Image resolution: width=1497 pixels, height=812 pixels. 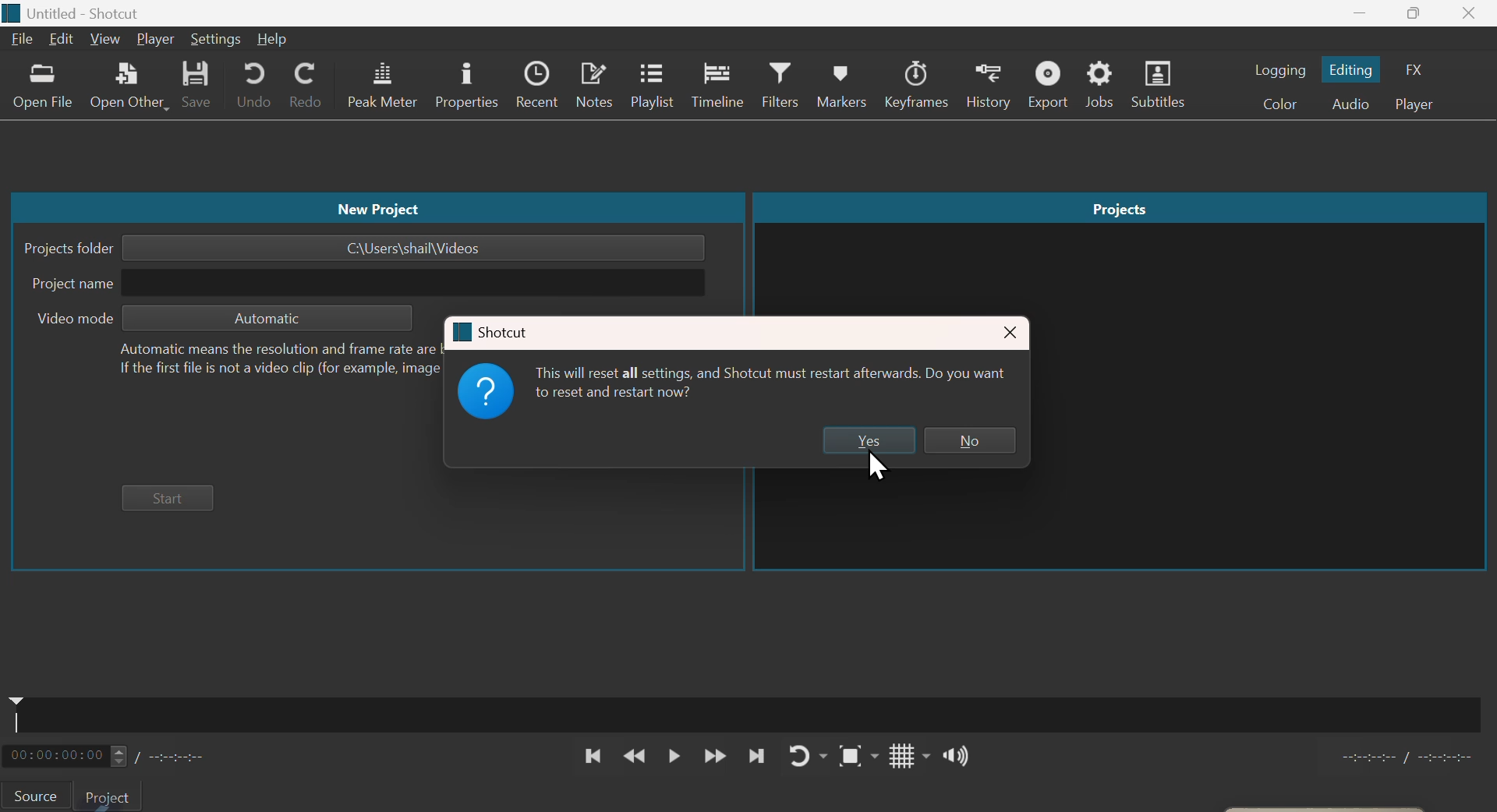 I want to click on project, so click(x=115, y=796).